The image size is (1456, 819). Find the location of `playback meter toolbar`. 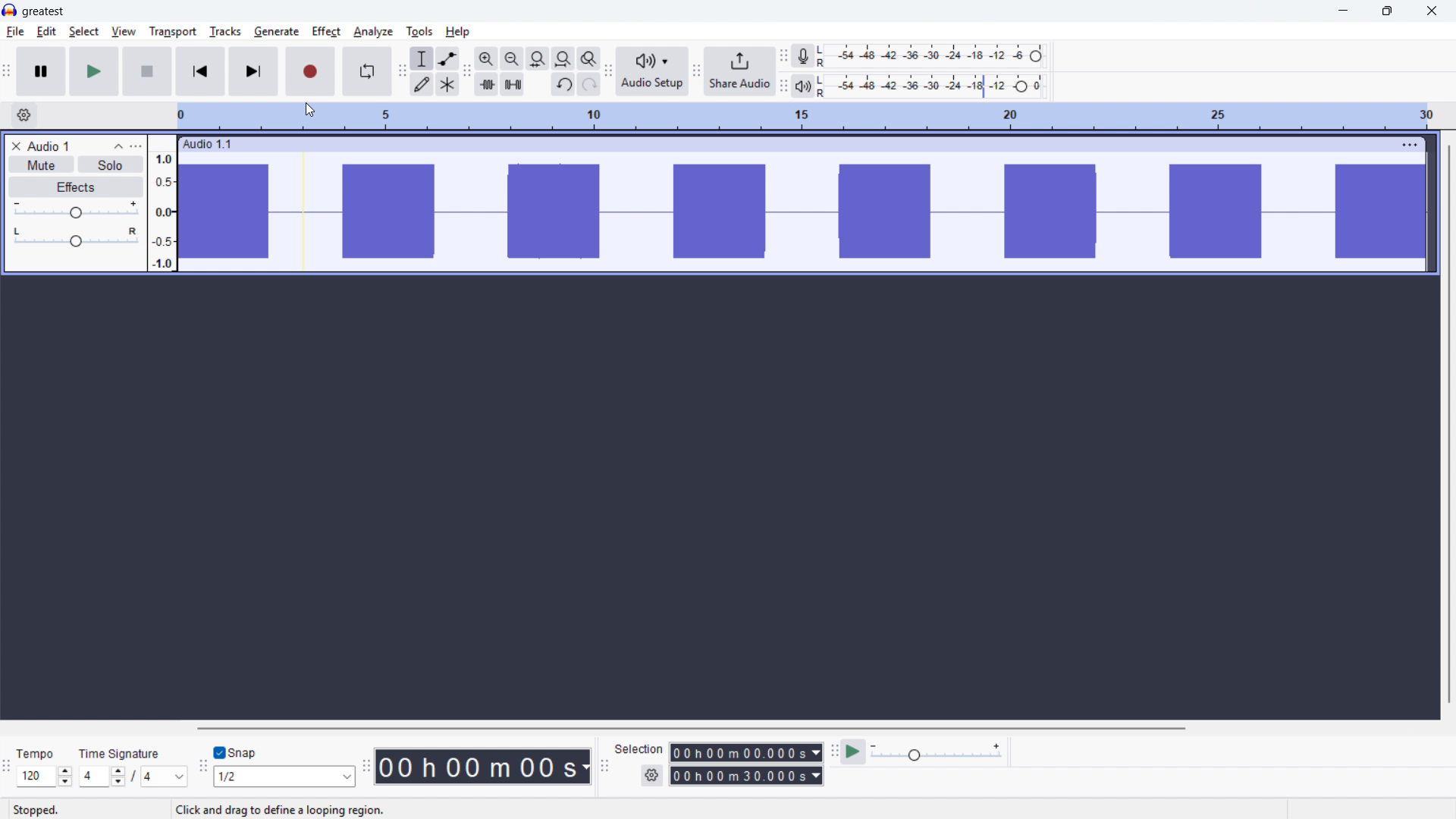

playback meter toolbar is located at coordinates (783, 87).